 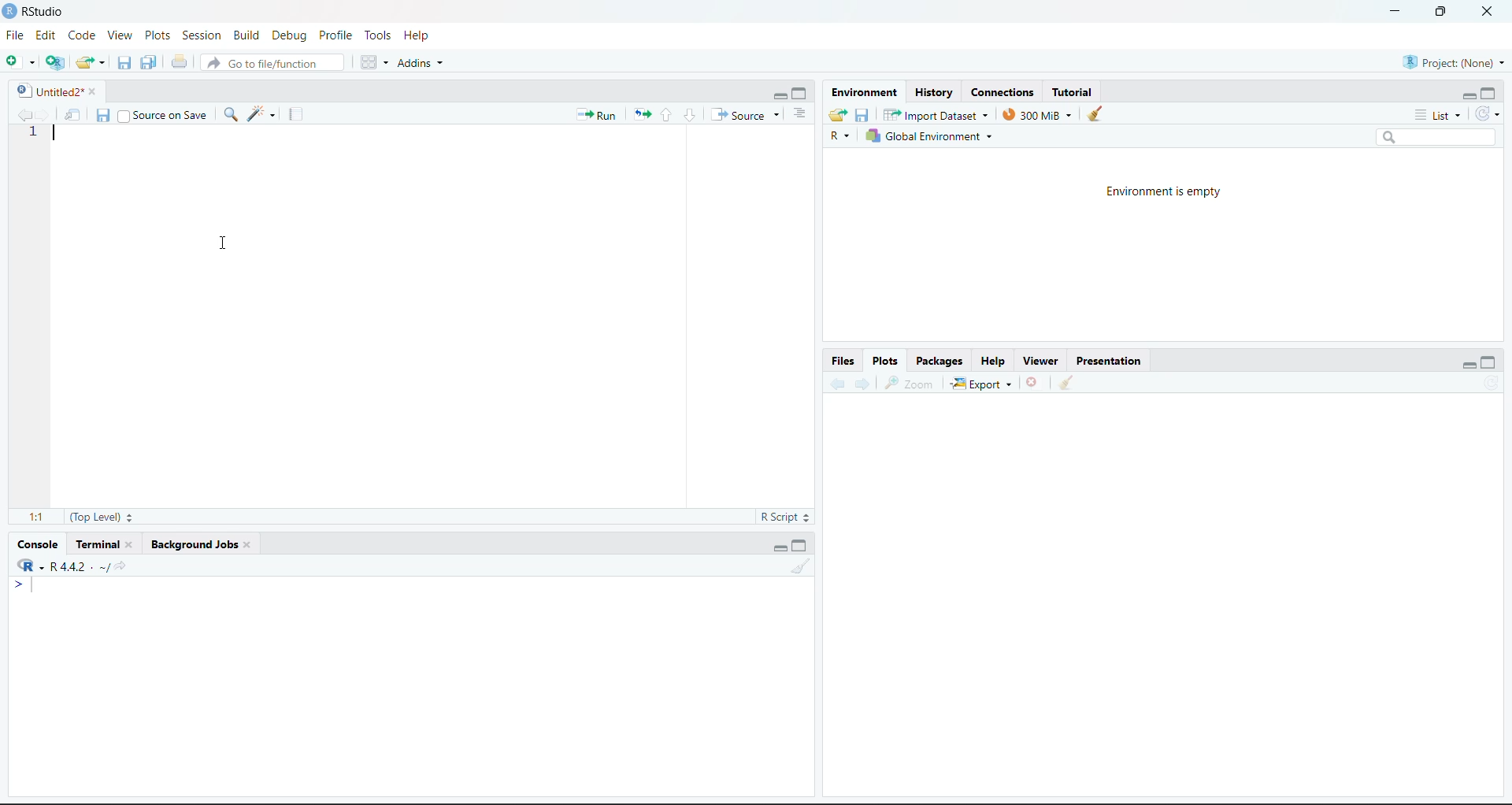 I want to click on hide console, so click(x=1492, y=363).